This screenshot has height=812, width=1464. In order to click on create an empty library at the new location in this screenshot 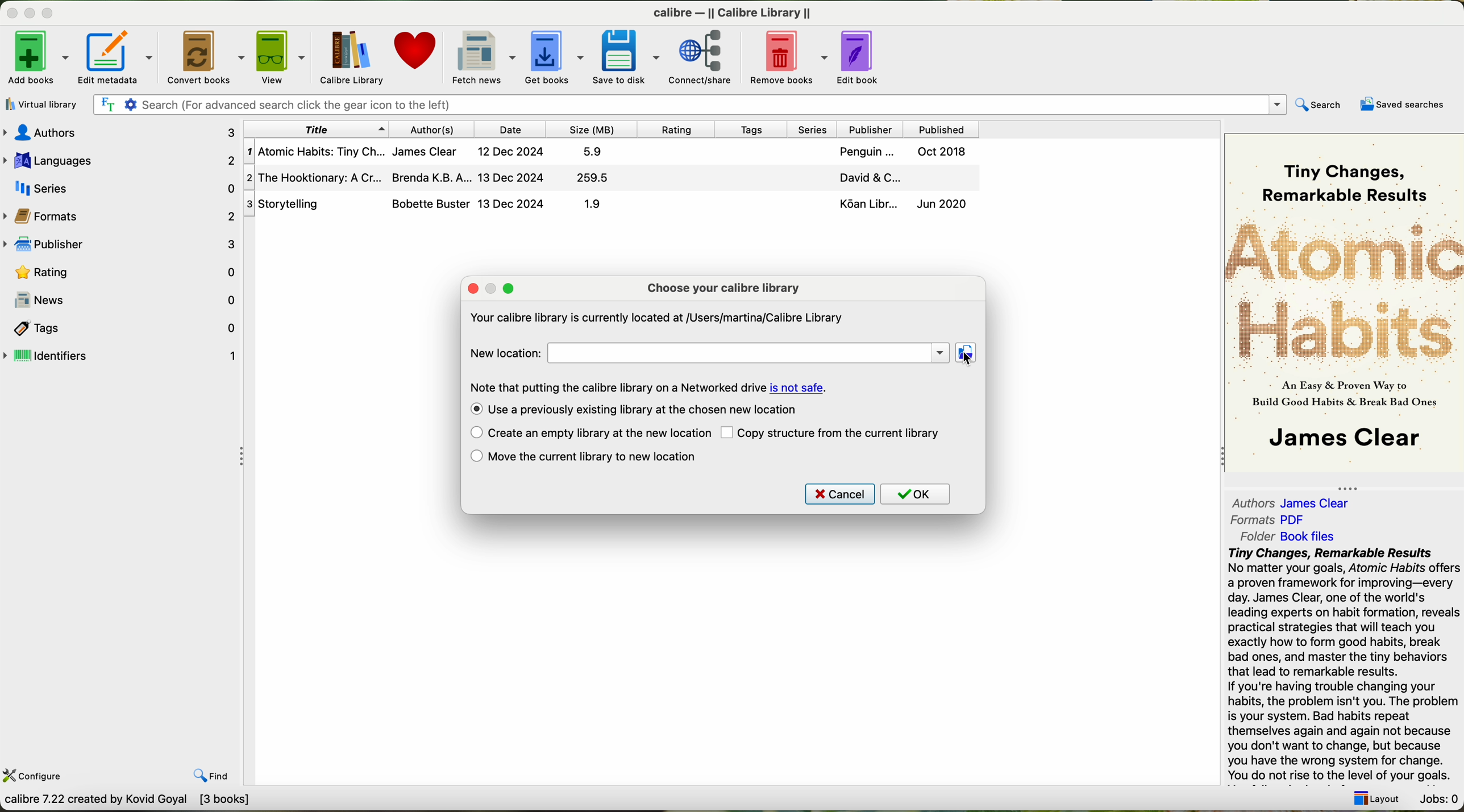, I will do `click(598, 434)`.